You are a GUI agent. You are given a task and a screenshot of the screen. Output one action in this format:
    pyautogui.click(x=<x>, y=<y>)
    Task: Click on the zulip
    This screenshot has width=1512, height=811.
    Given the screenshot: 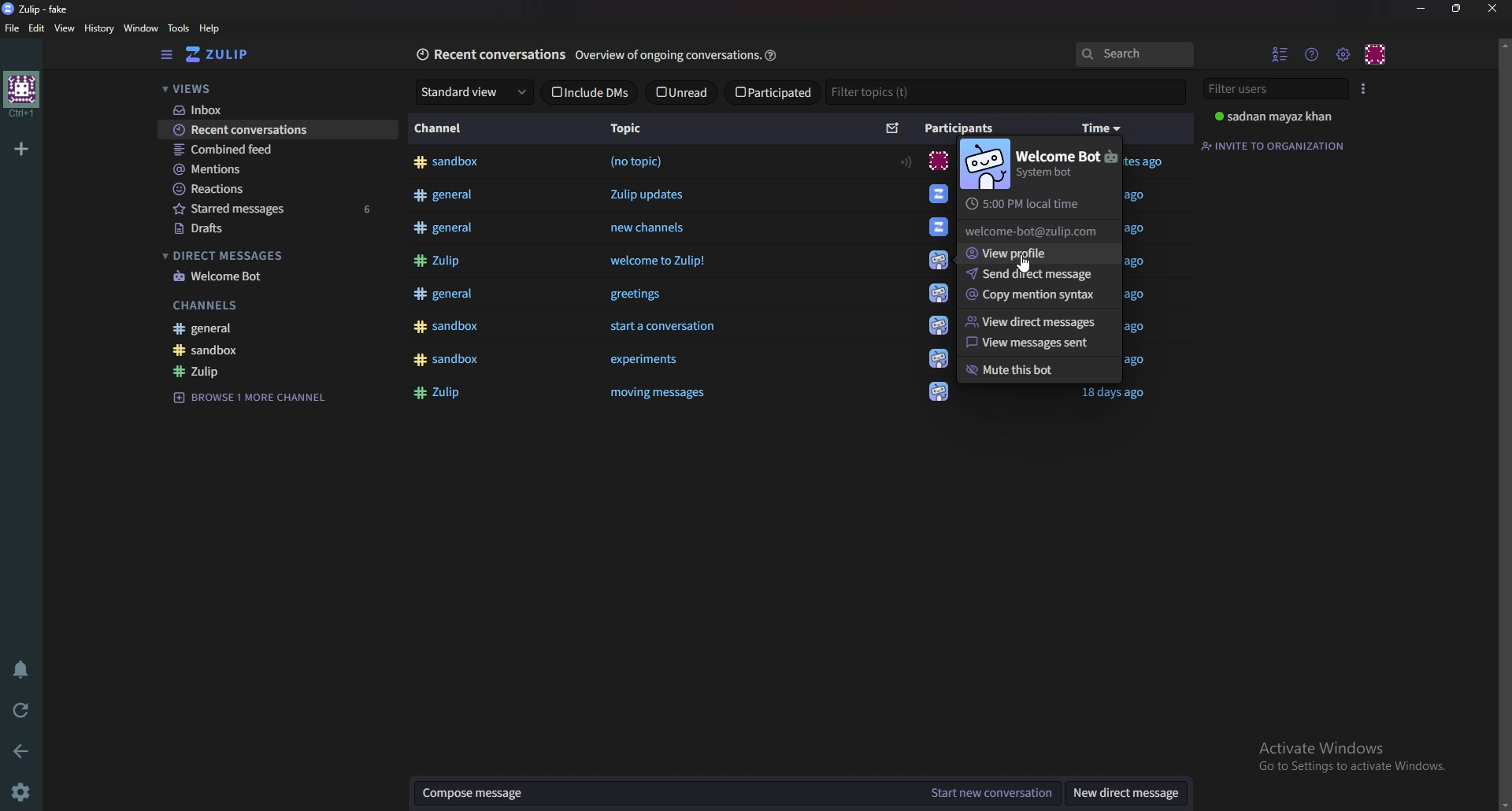 What is the action you would take?
    pyautogui.click(x=277, y=371)
    